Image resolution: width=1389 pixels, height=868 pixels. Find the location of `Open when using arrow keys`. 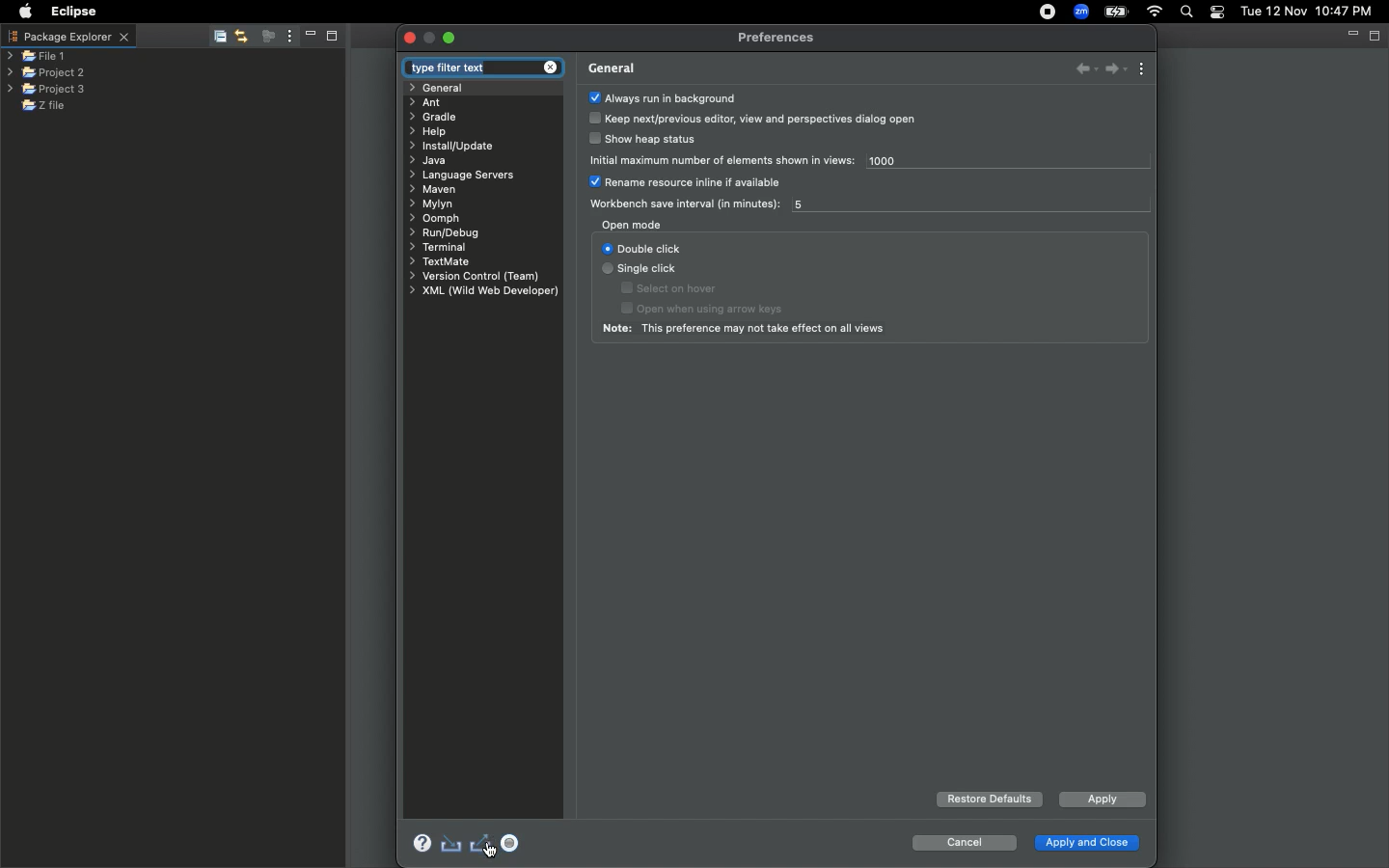

Open when using arrow keys is located at coordinates (720, 310).